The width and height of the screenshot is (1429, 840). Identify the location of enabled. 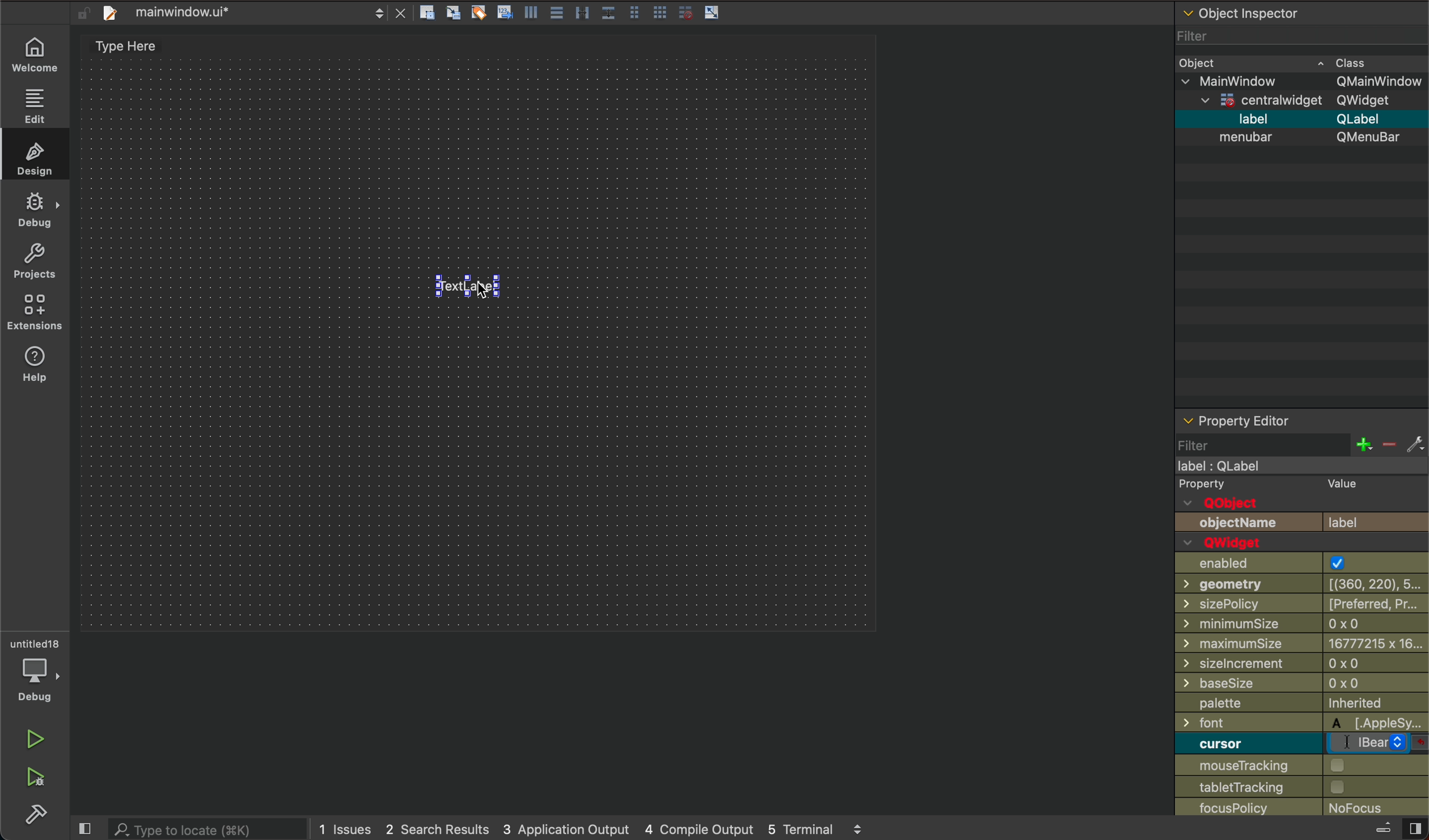
(1244, 563).